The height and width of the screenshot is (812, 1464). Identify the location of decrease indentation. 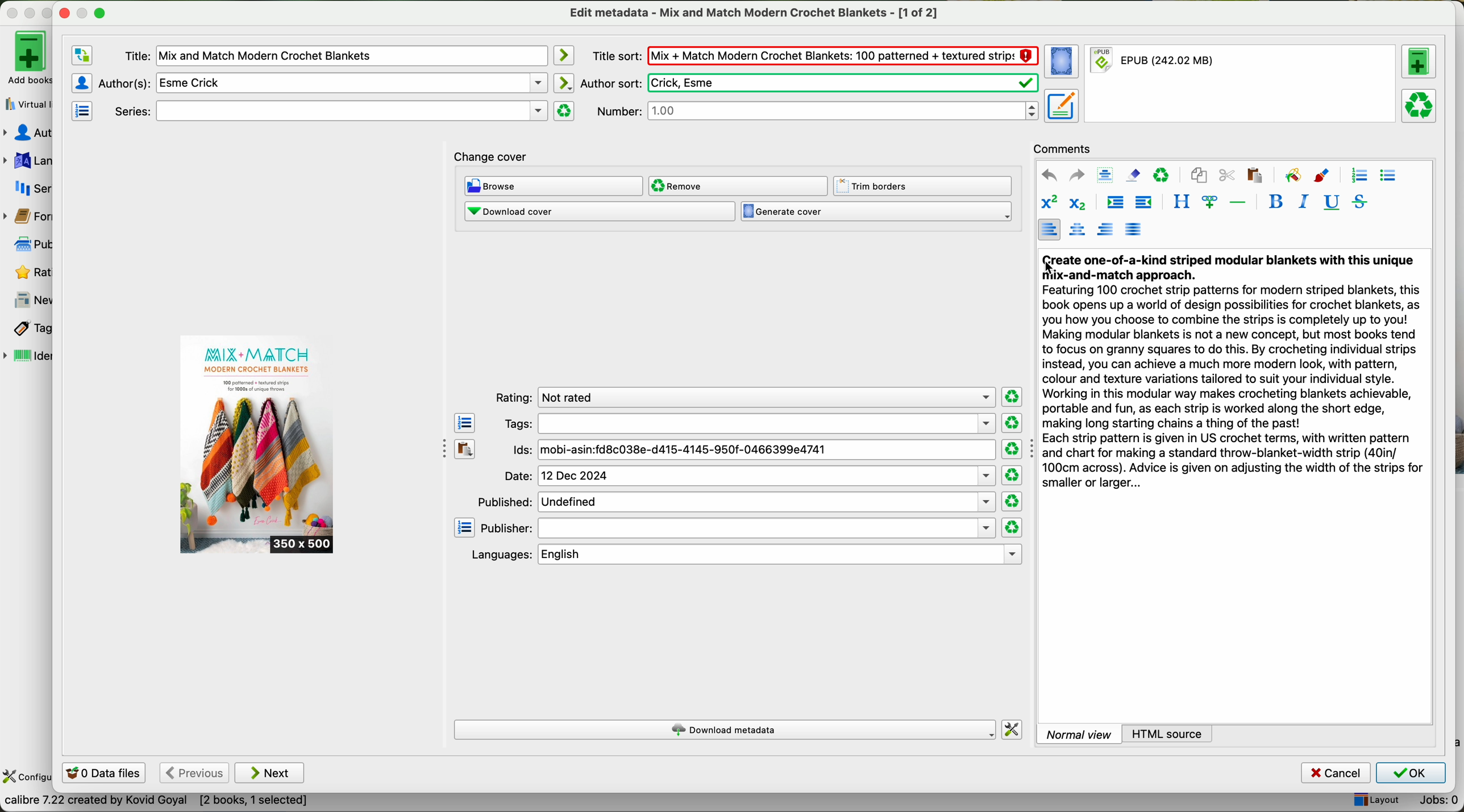
(1142, 203).